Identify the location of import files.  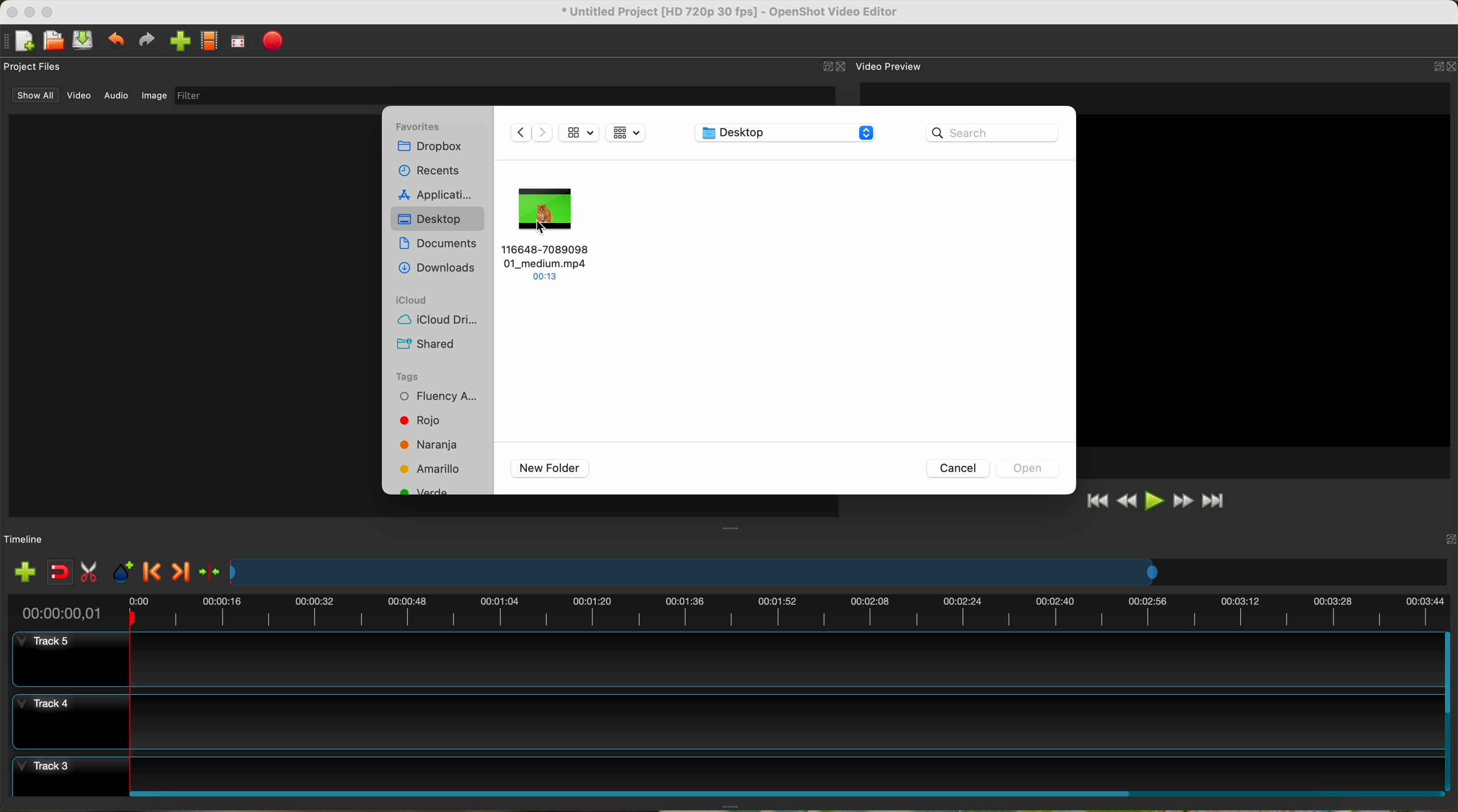
(24, 573).